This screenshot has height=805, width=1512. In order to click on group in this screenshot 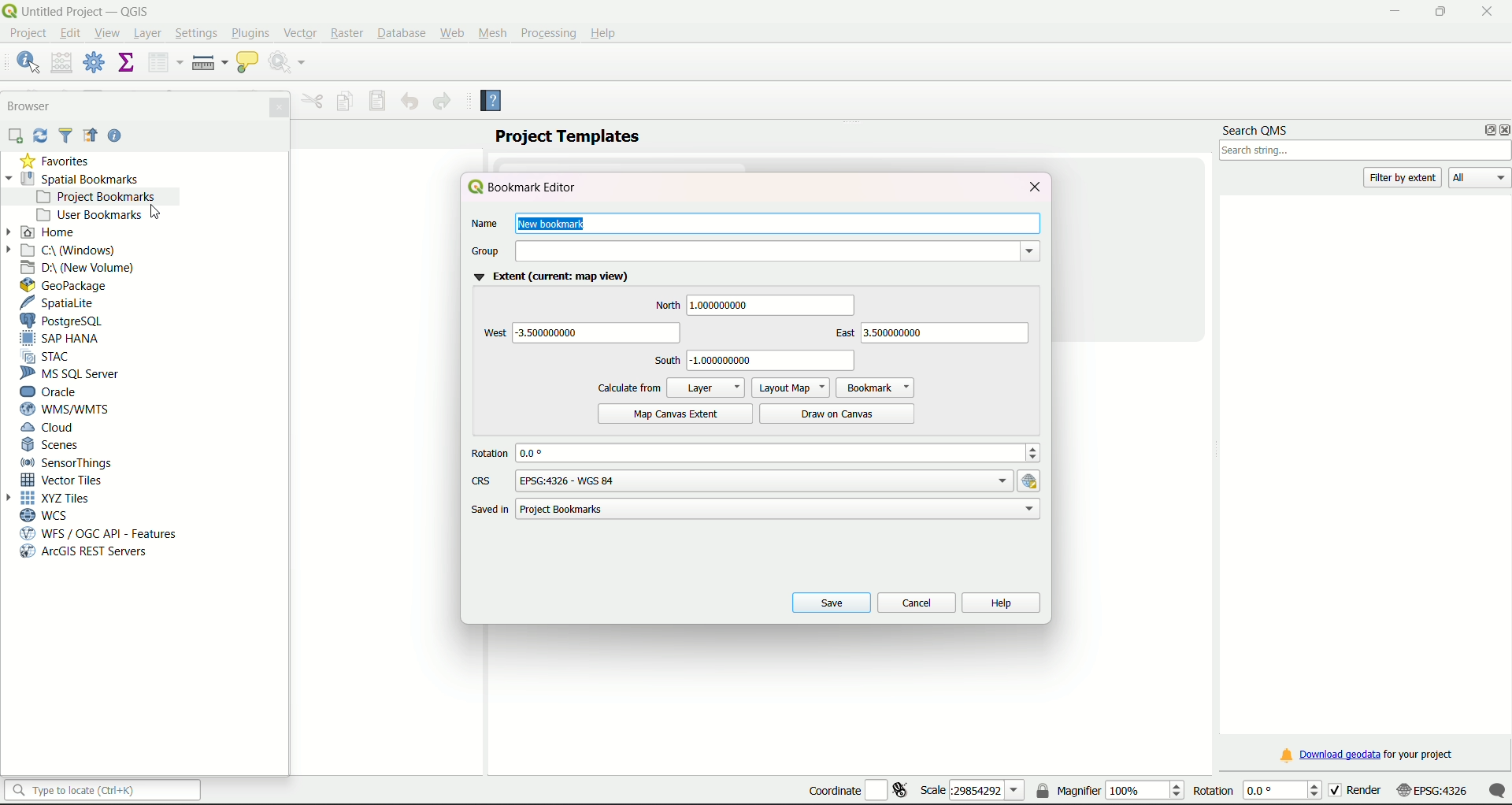, I will do `click(665, 252)`.